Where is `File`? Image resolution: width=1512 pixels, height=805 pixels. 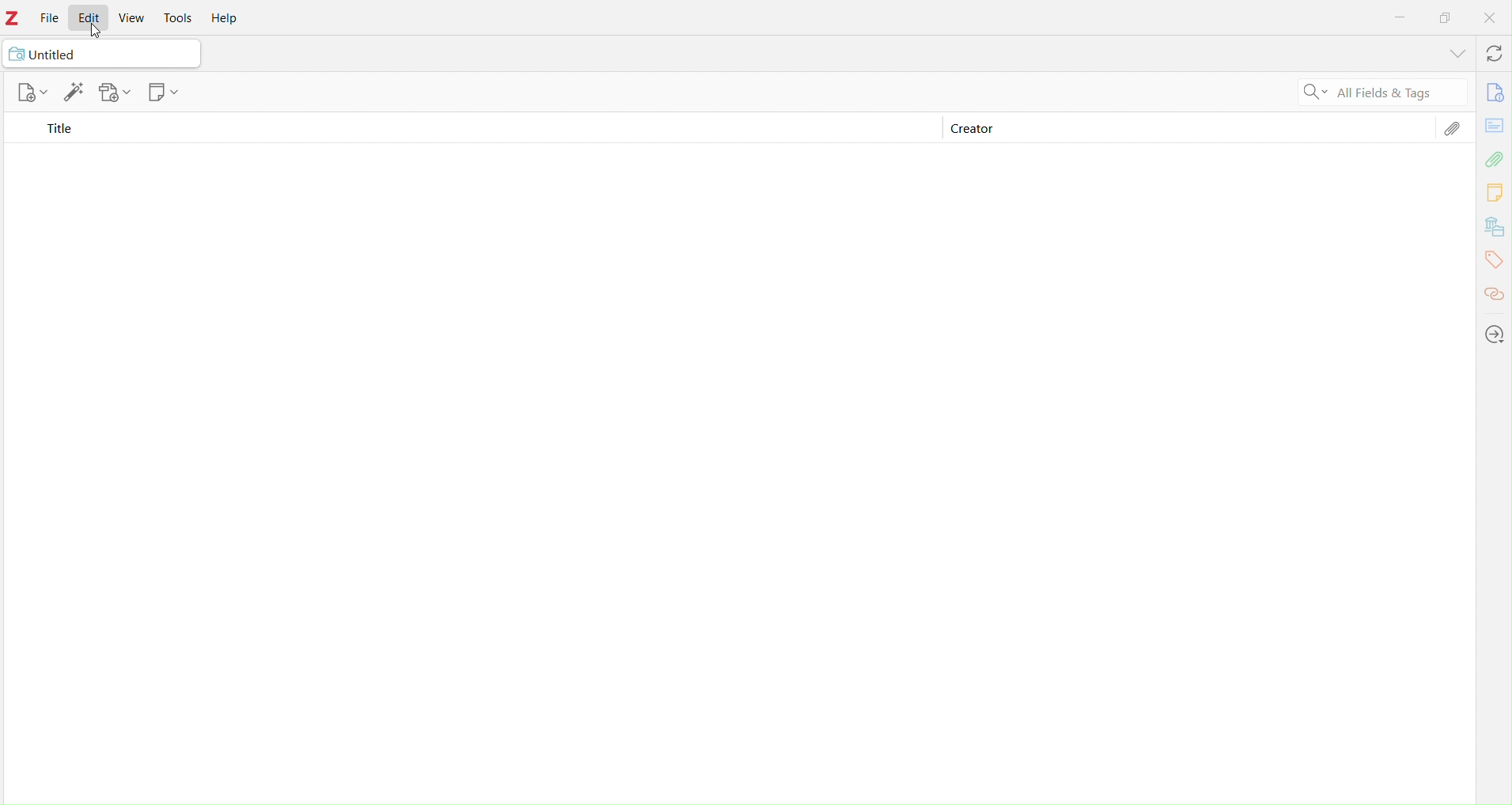 File is located at coordinates (48, 19).